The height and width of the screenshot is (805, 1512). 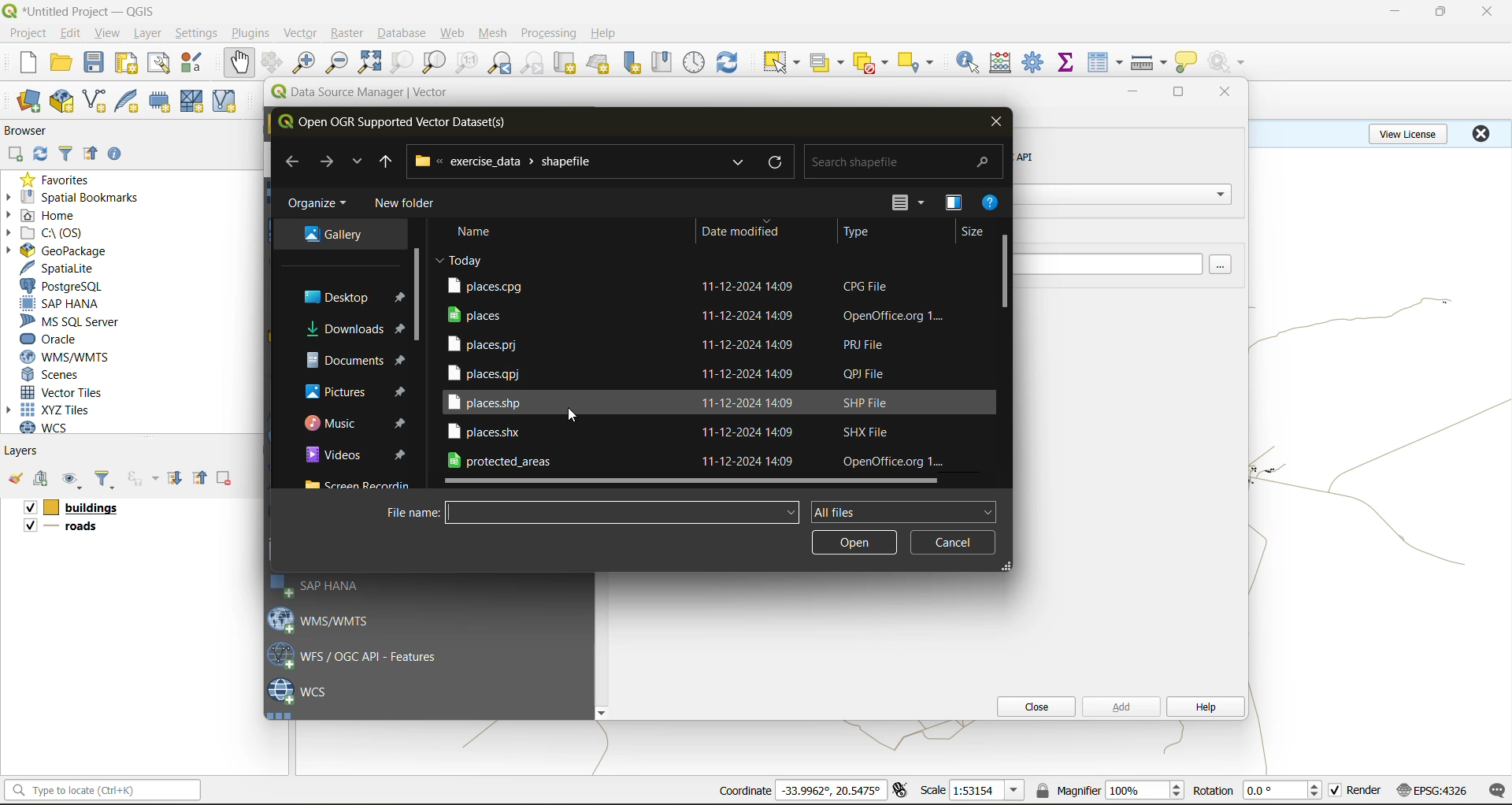 I want to click on open data source manager, so click(x=28, y=102).